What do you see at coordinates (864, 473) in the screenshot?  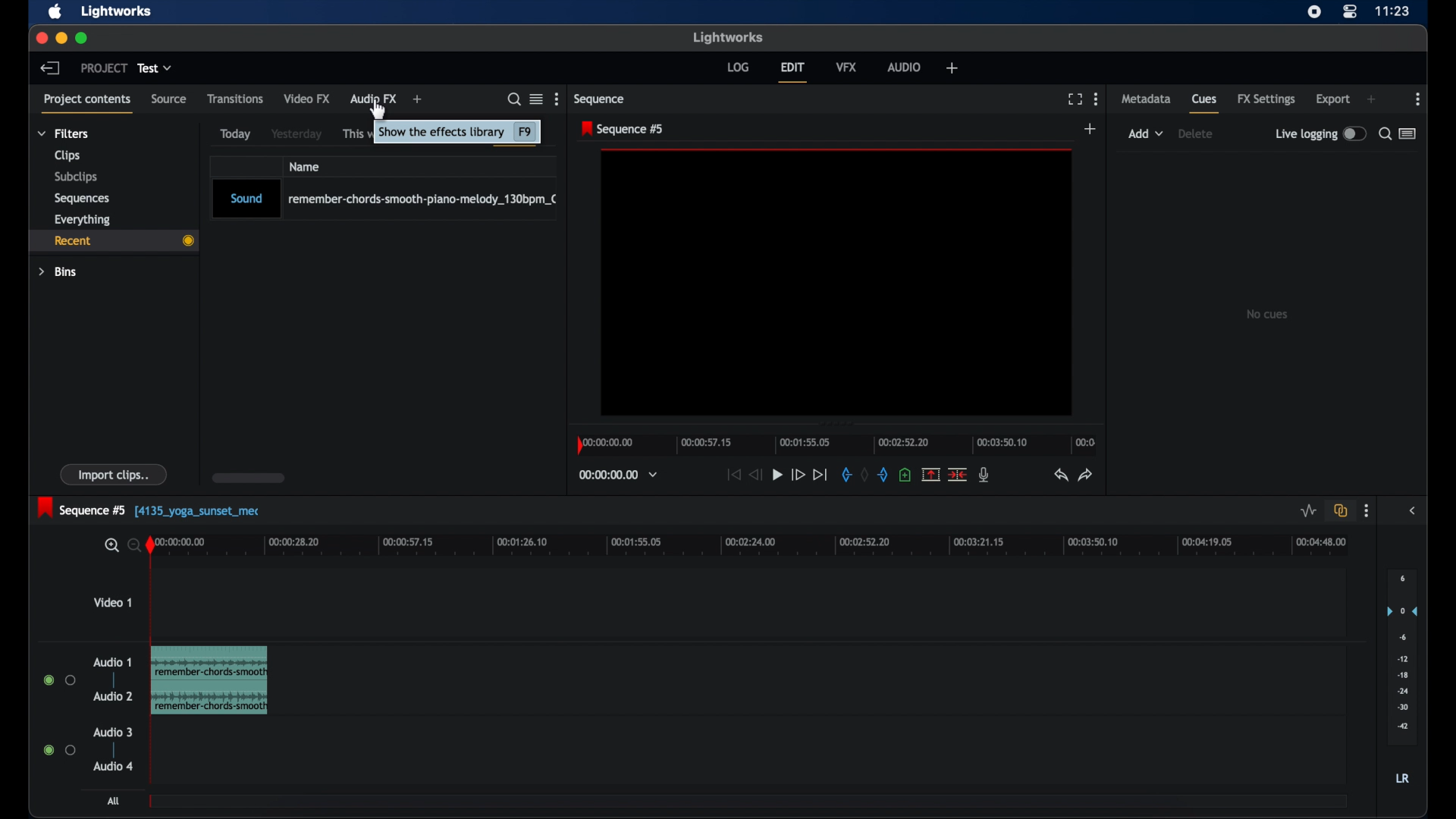 I see `clear marks` at bounding box center [864, 473].